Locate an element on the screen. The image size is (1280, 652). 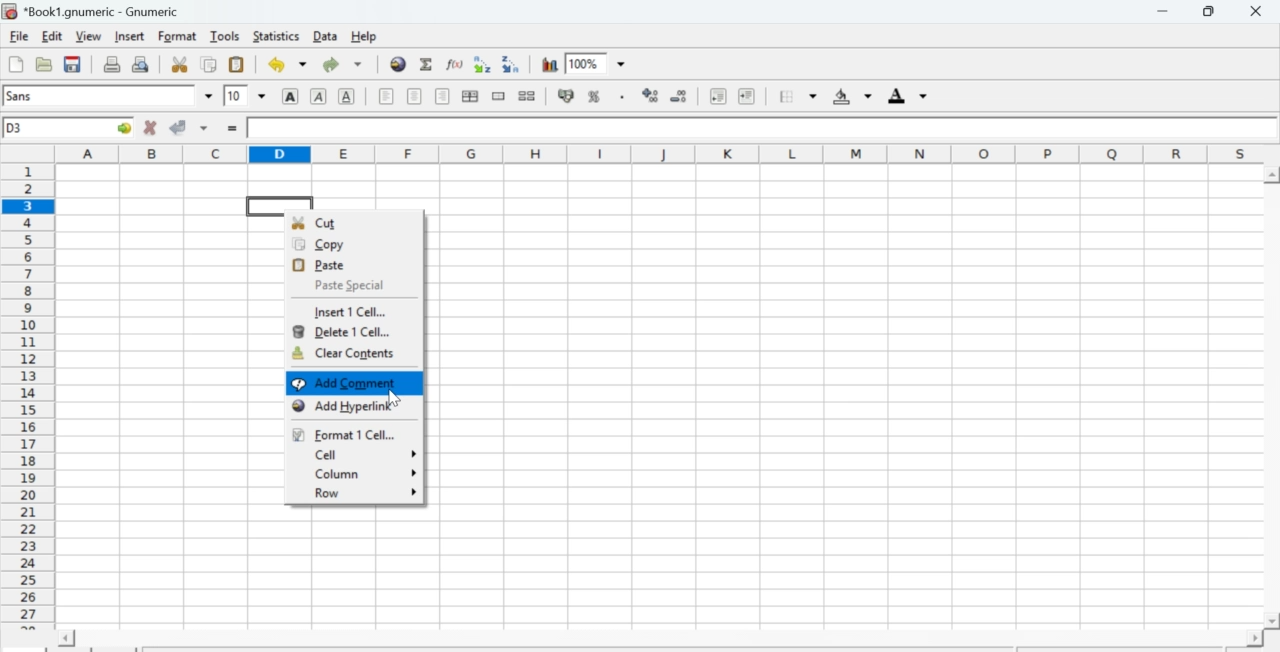
Sum is located at coordinates (428, 65).